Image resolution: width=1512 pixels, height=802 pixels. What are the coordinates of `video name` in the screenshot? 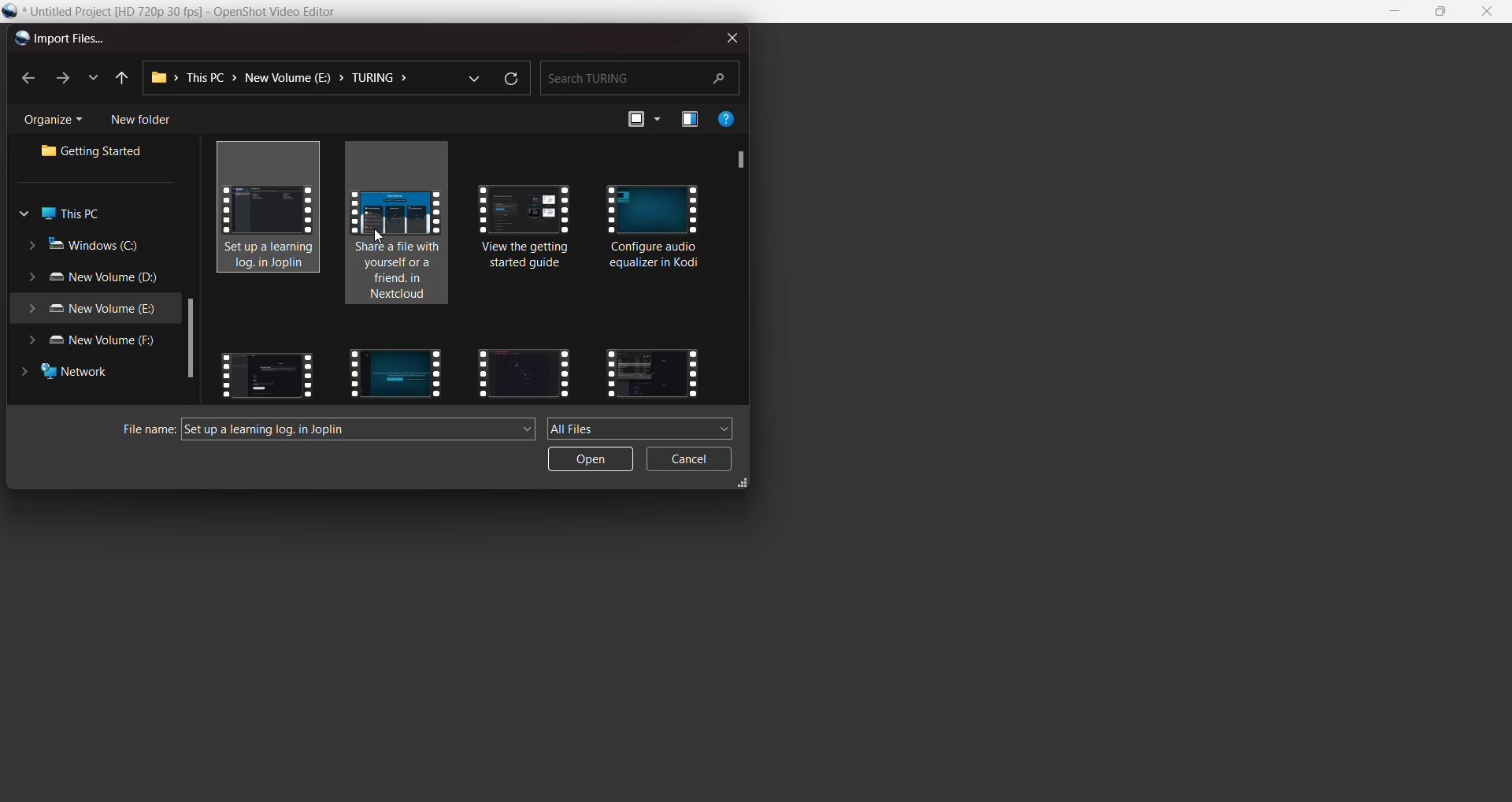 It's located at (267, 430).